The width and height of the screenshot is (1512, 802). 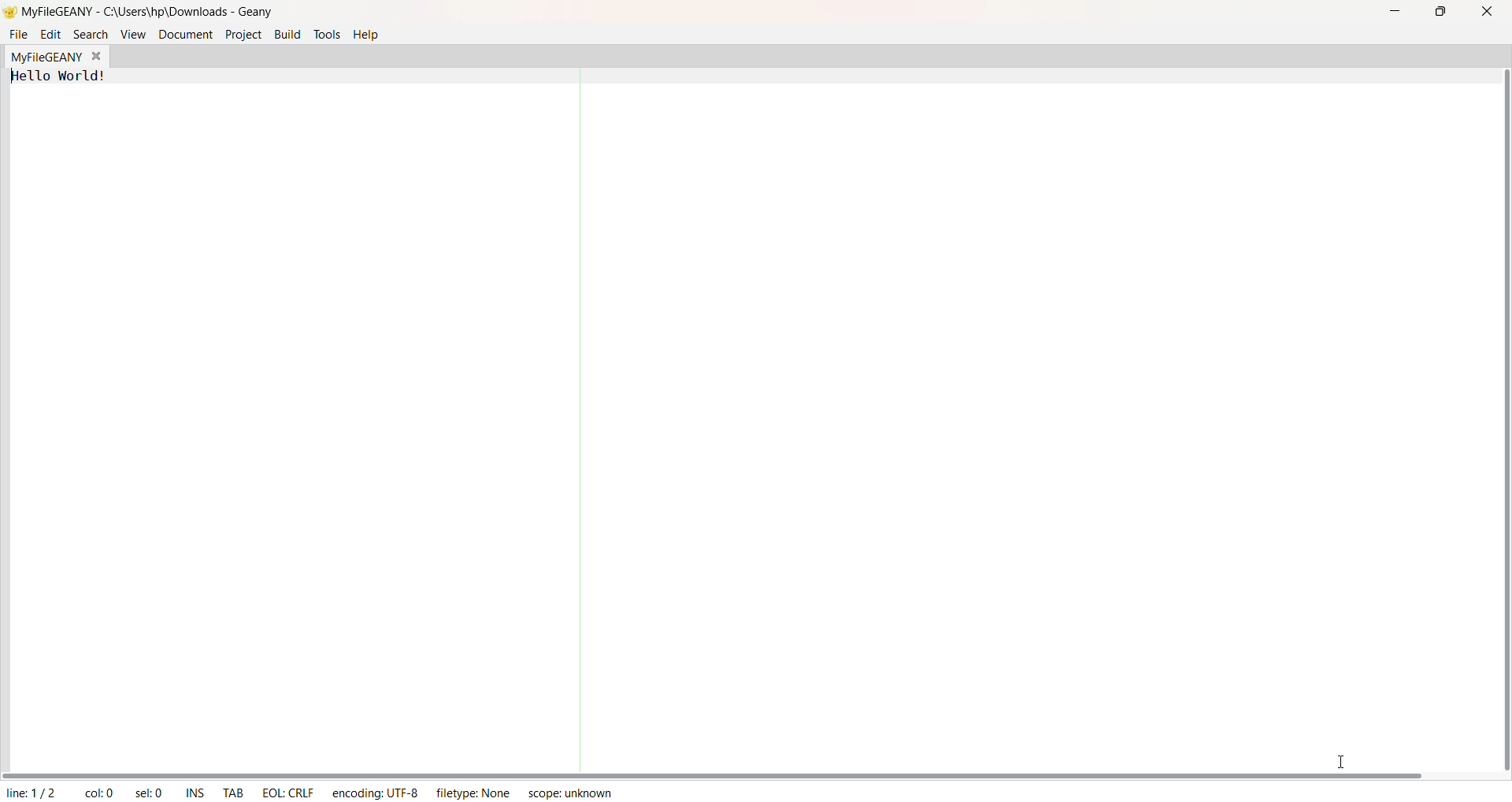 I want to click on Logo, so click(x=9, y=13).